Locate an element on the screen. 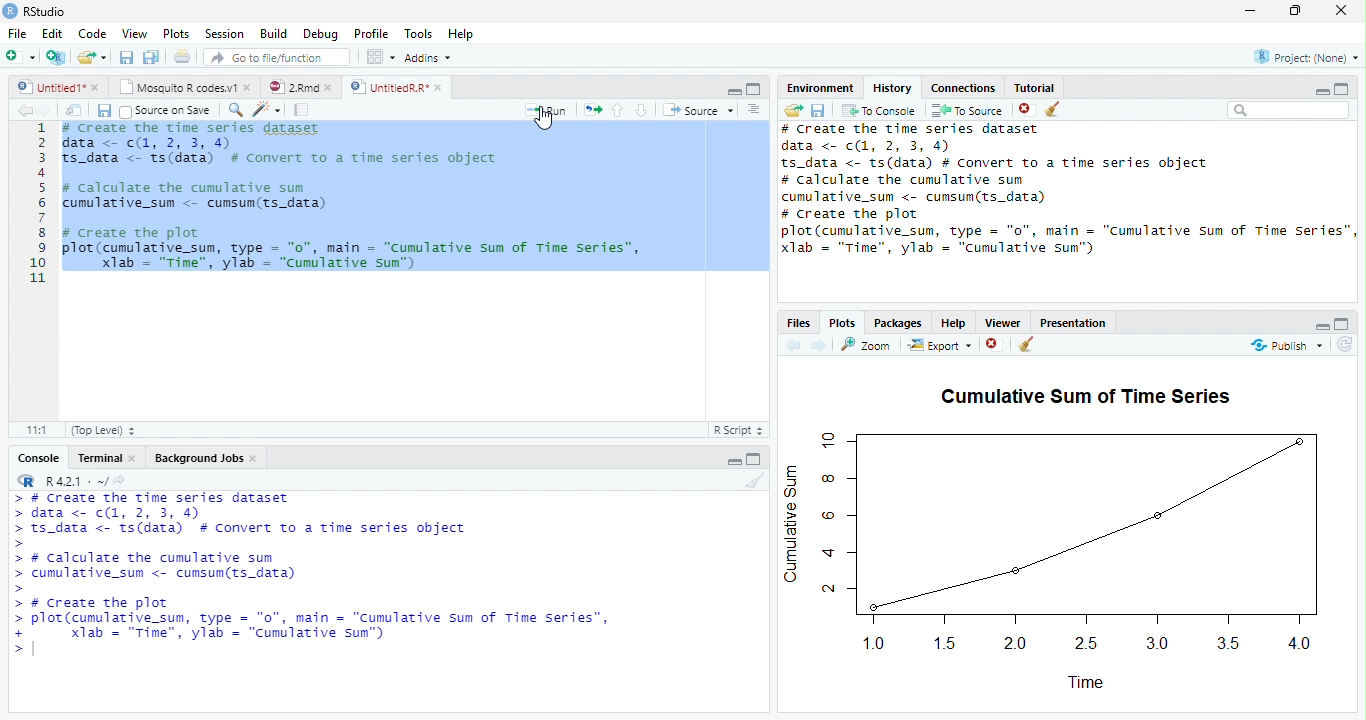 The height and width of the screenshot is (720, 1366). workspace panes is located at coordinates (381, 61).